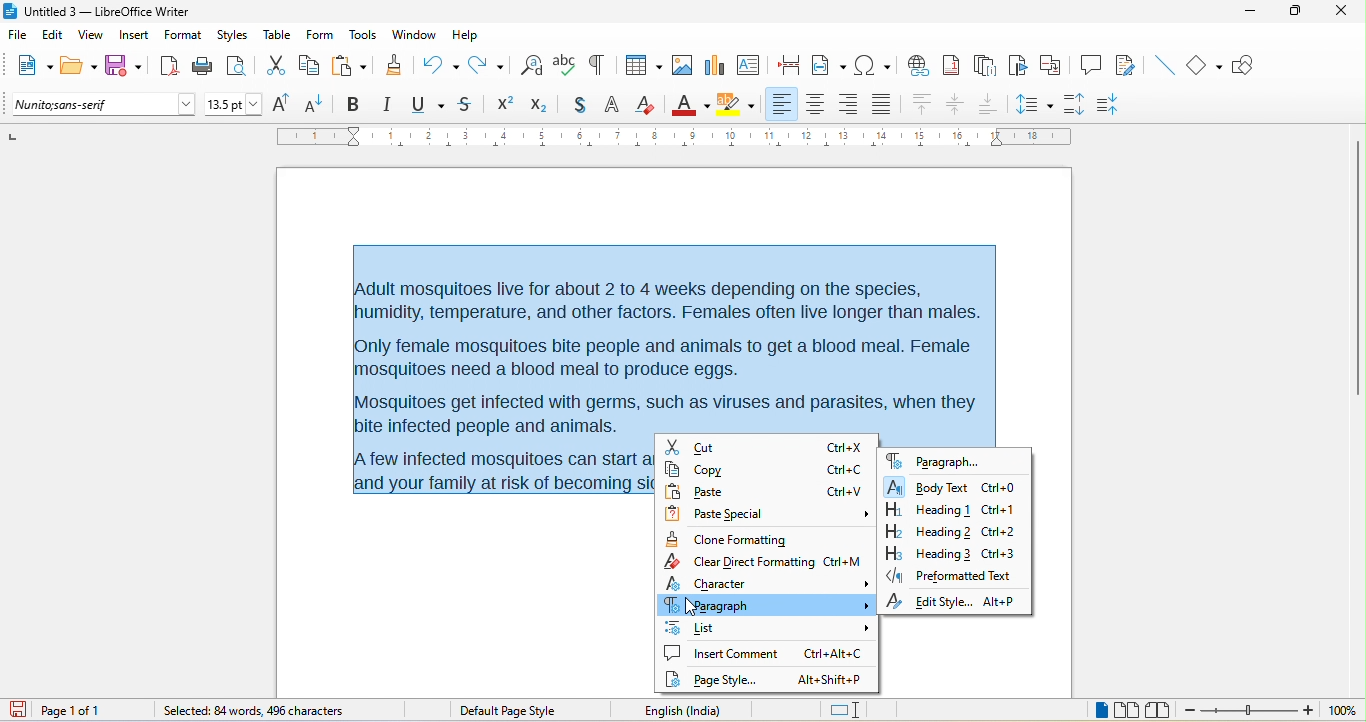 The width and height of the screenshot is (1366, 722). What do you see at coordinates (681, 65) in the screenshot?
I see `image` at bounding box center [681, 65].